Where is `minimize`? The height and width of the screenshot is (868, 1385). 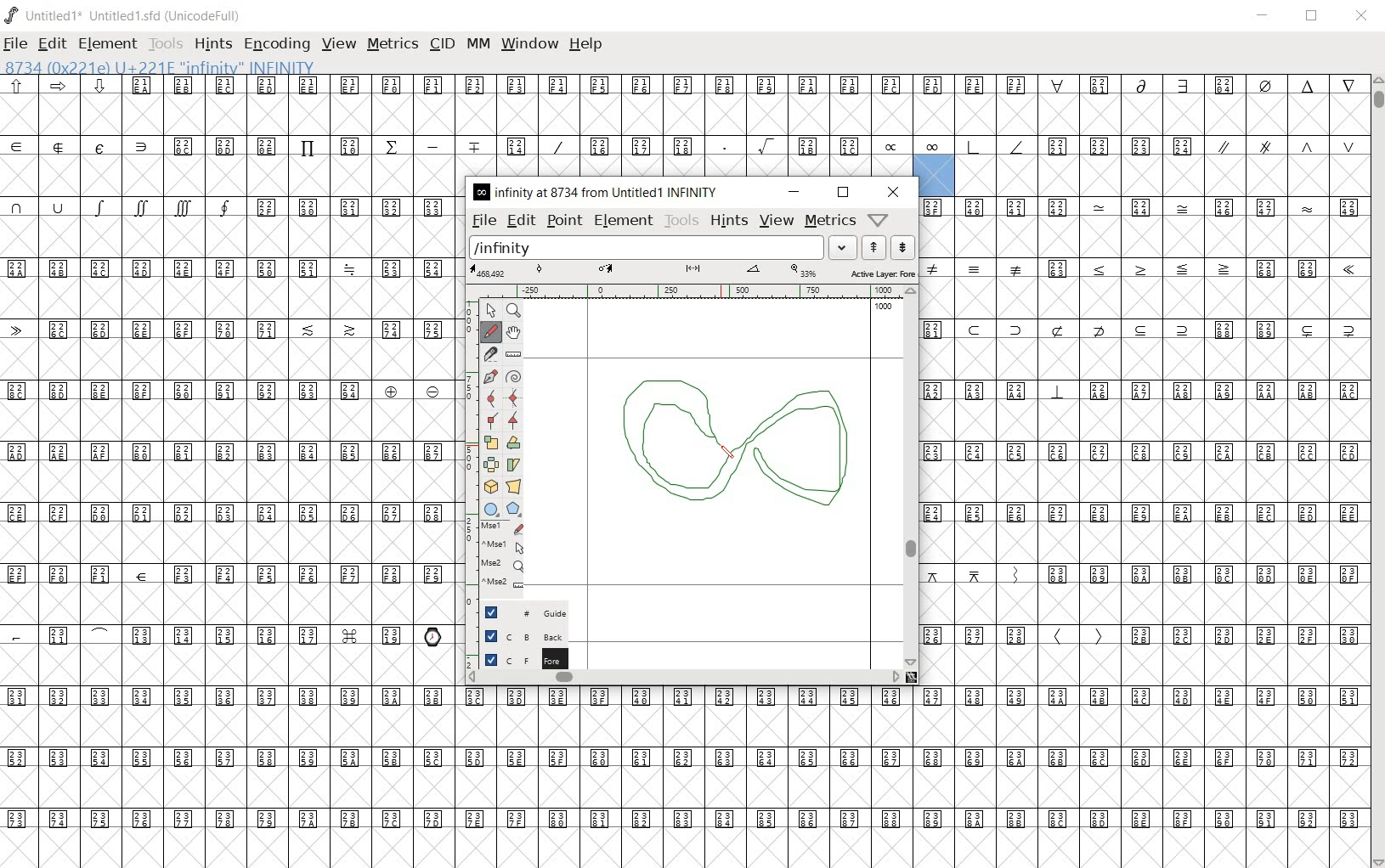
minimize is located at coordinates (794, 192).